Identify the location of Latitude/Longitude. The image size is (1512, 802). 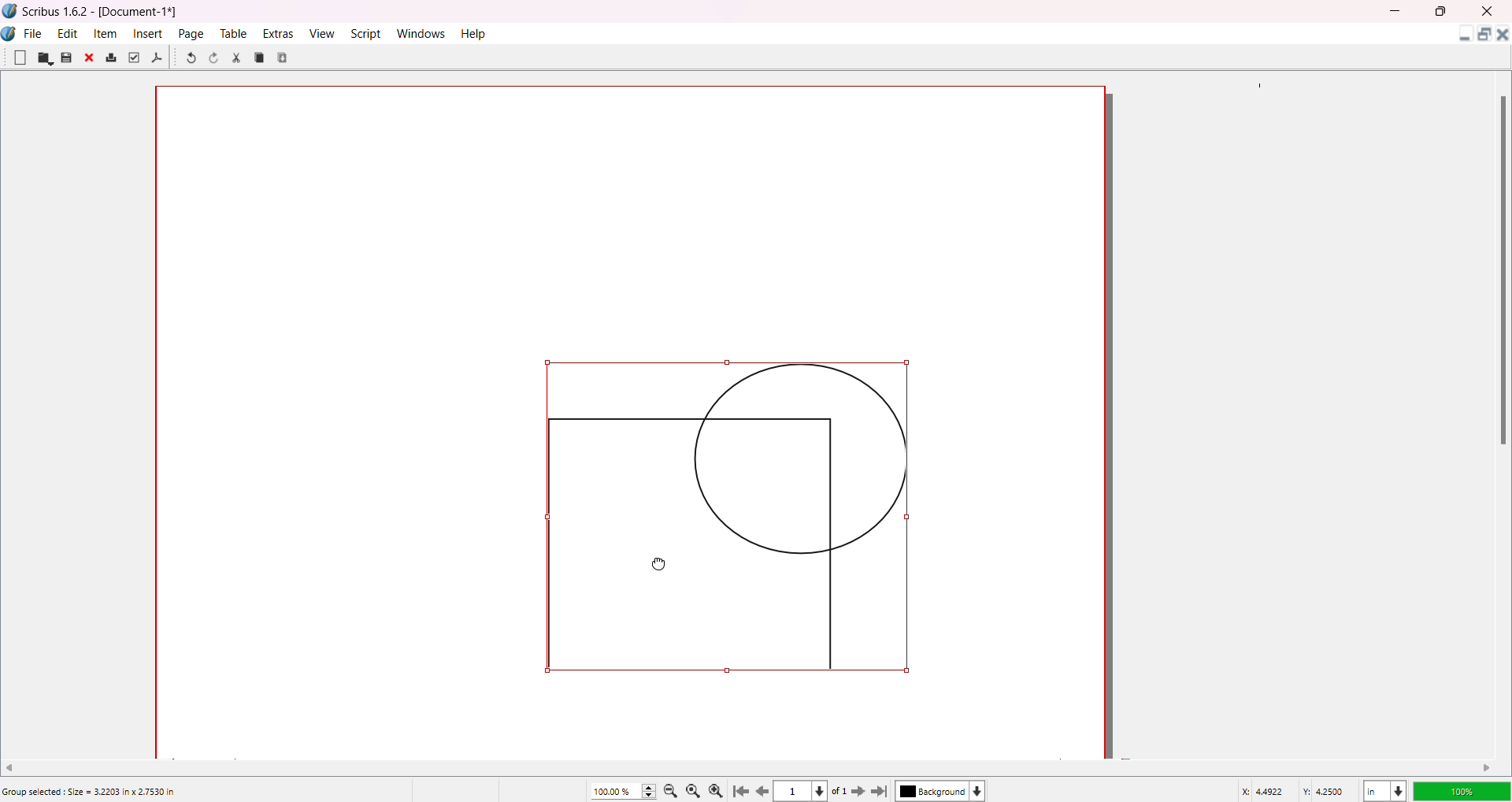
(1295, 790).